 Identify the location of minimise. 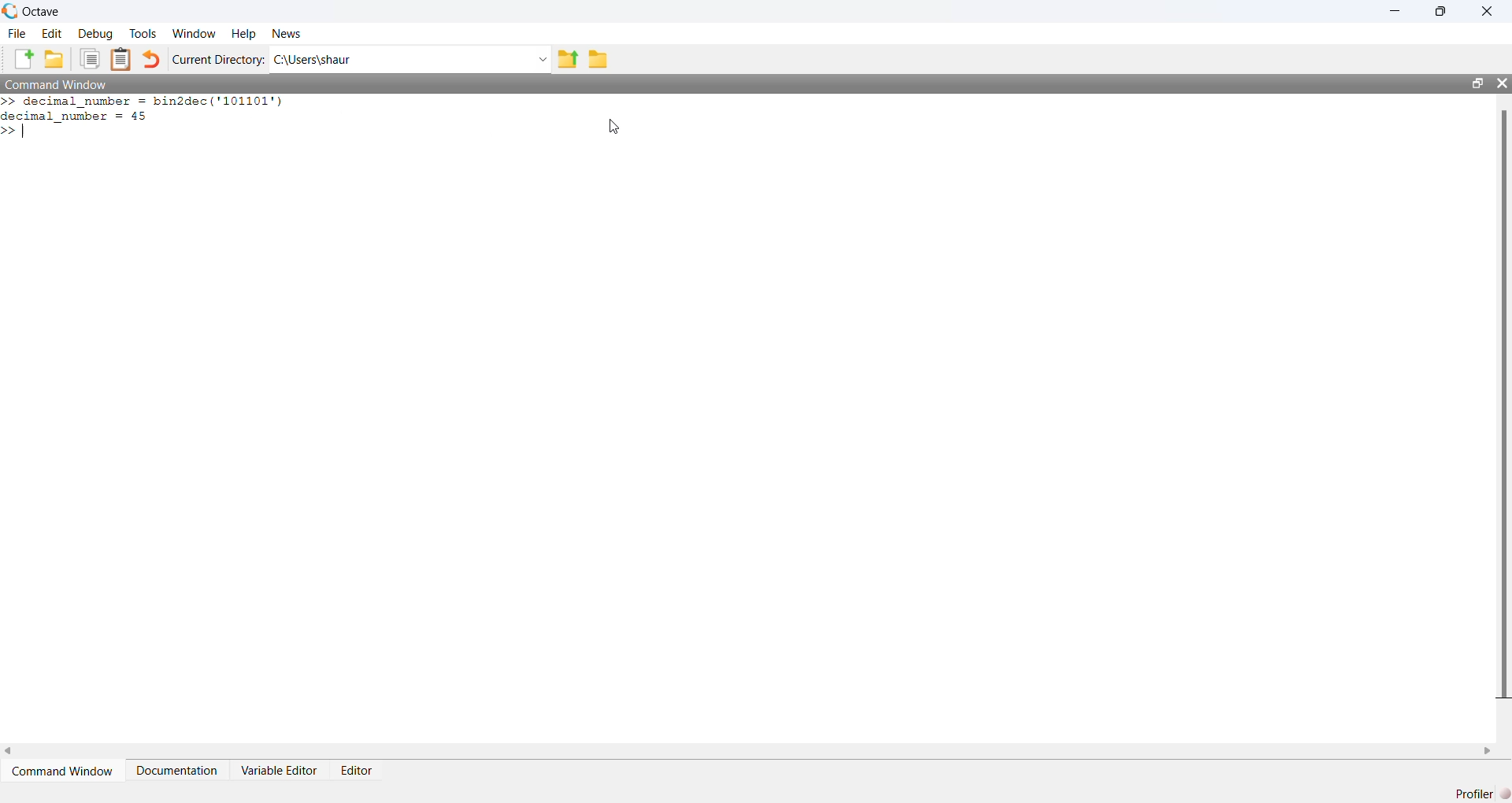
(1396, 10).